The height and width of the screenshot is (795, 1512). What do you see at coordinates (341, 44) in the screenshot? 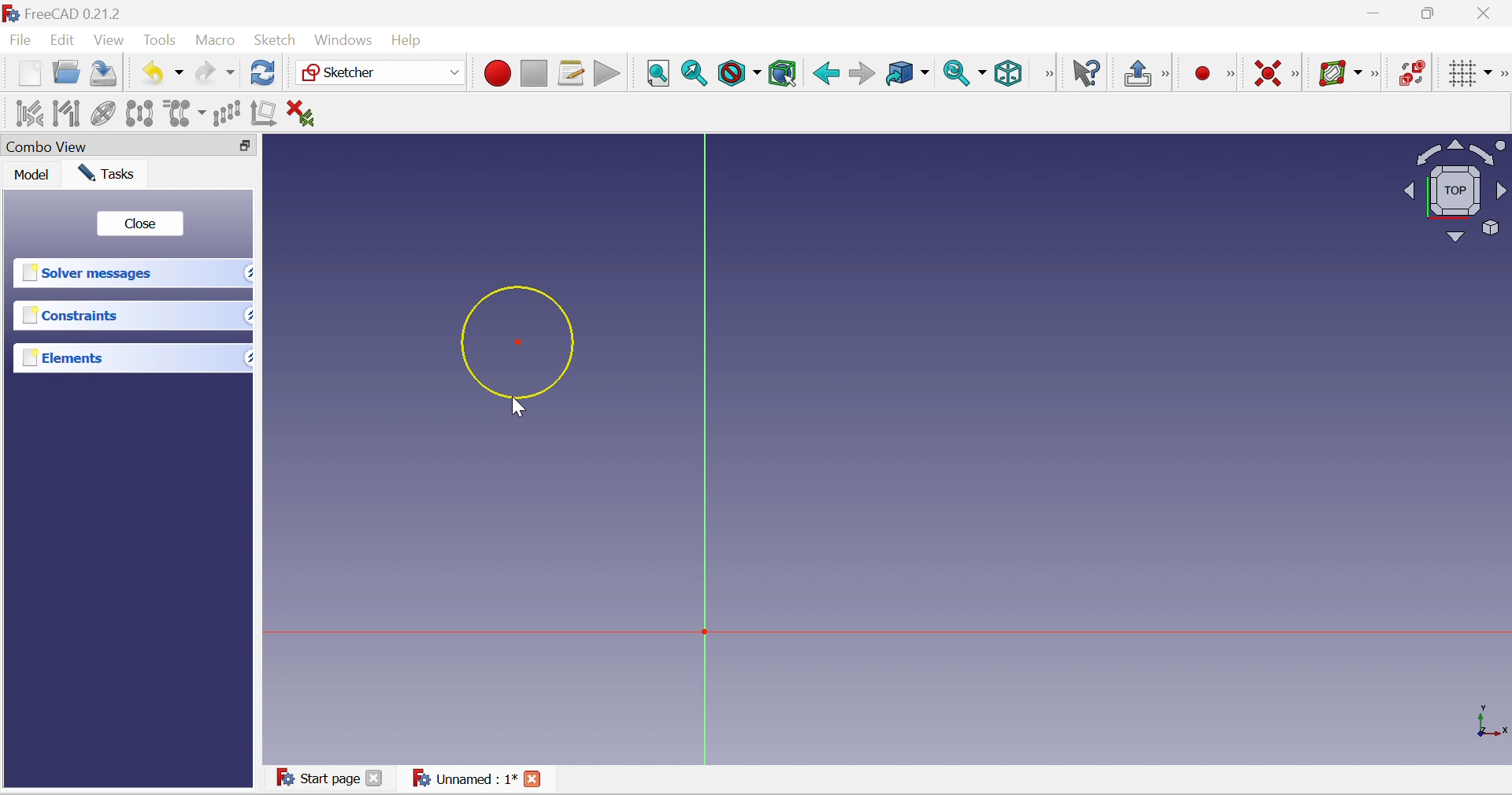
I see `Windows` at bounding box center [341, 44].